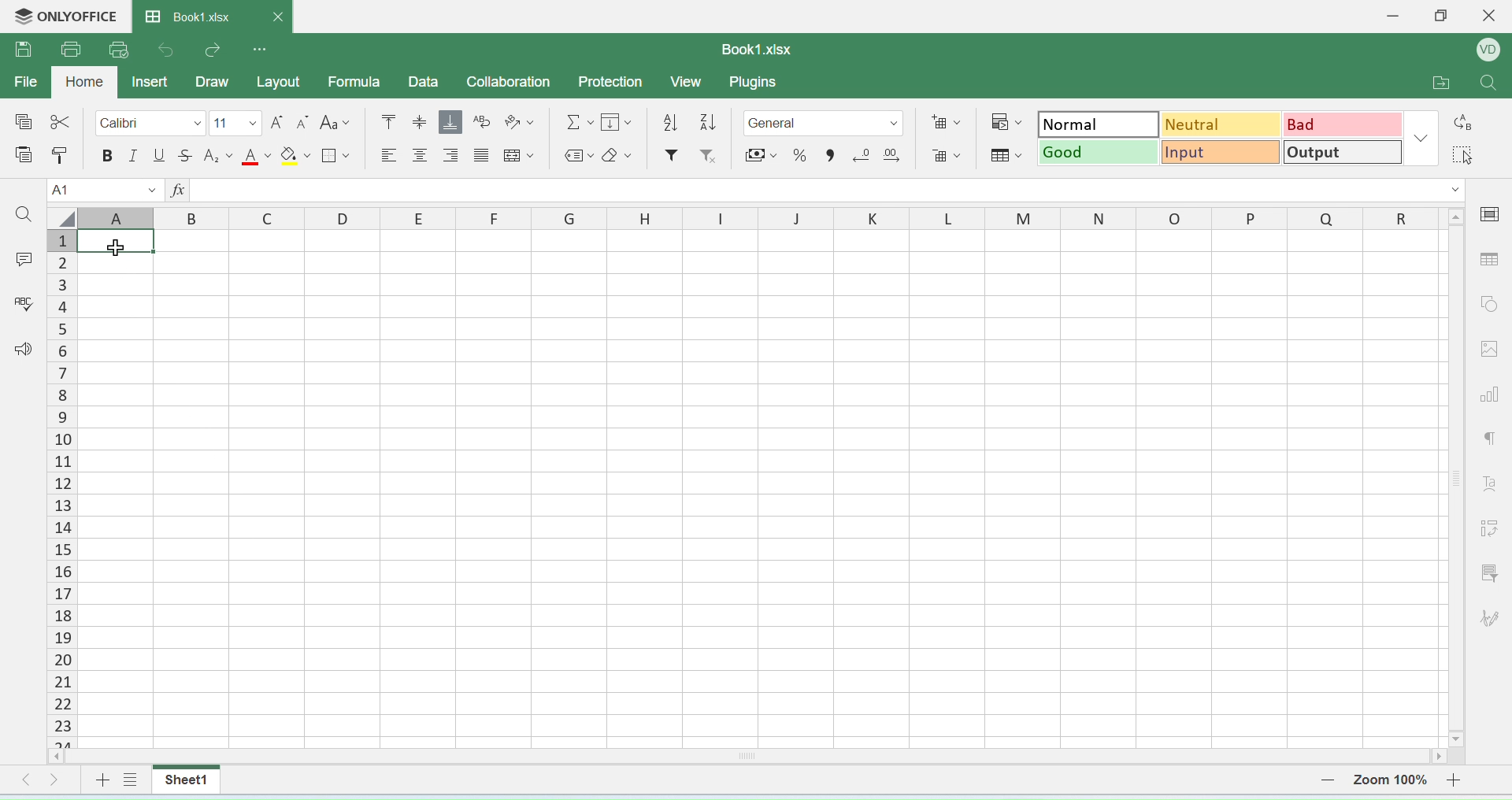  What do you see at coordinates (422, 81) in the screenshot?
I see `data` at bounding box center [422, 81].